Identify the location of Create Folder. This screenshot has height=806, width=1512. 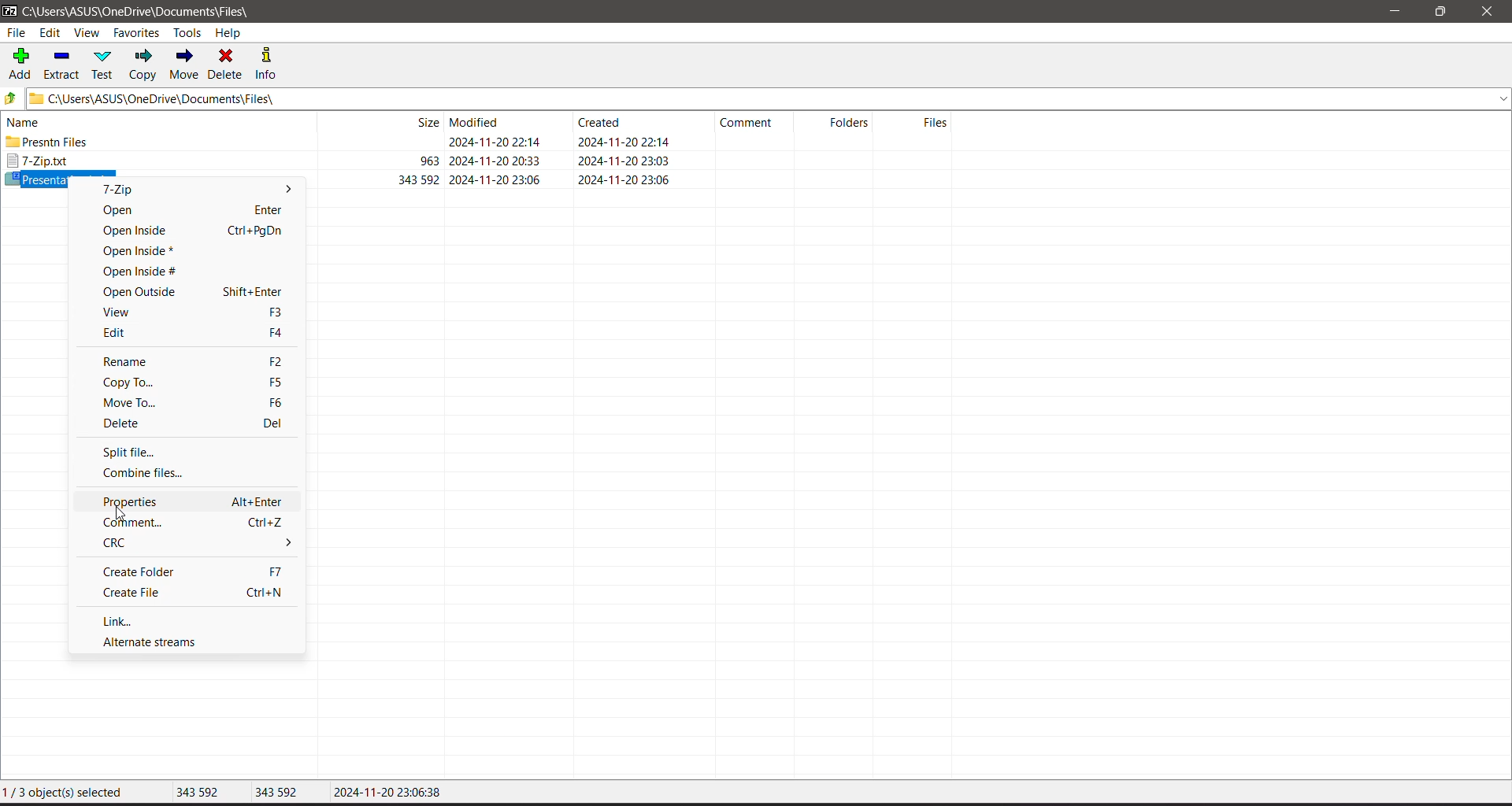
(191, 572).